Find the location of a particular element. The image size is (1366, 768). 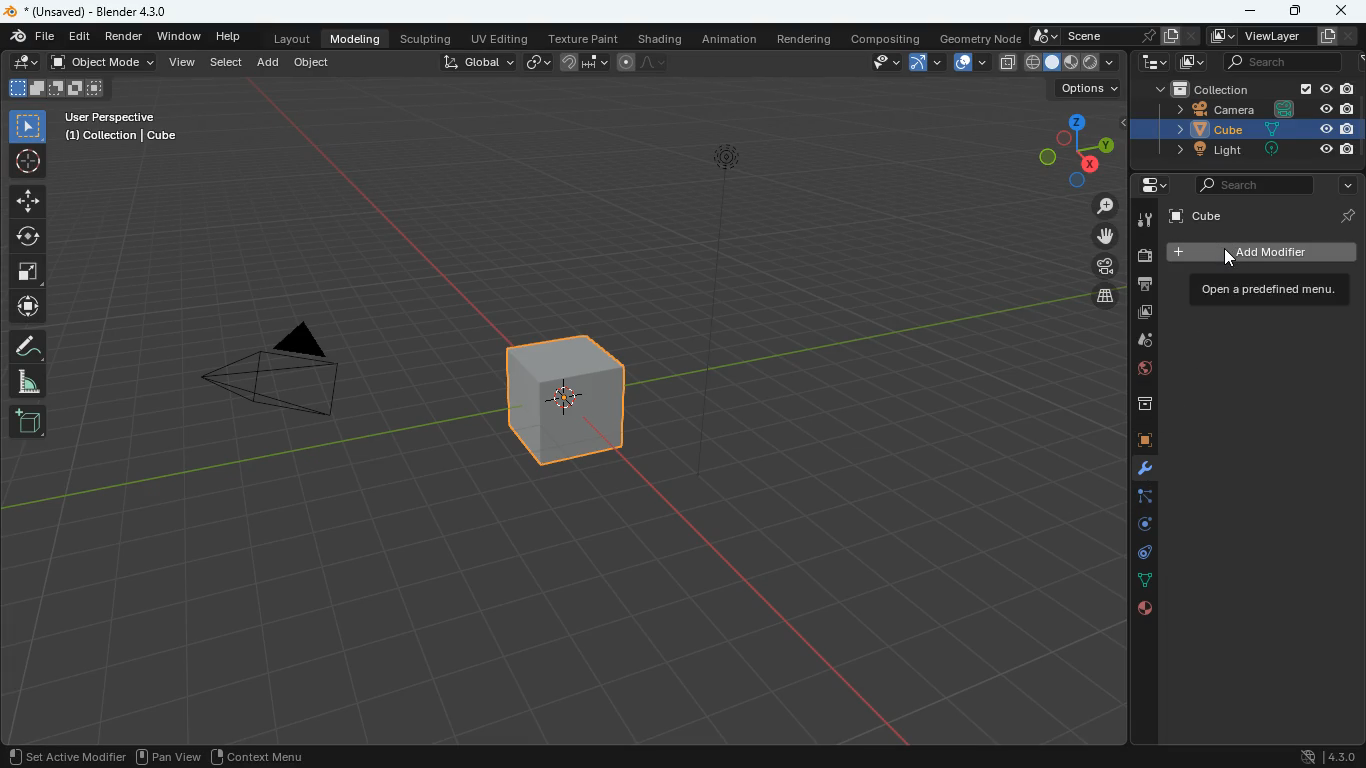

uv editing is located at coordinates (505, 39).